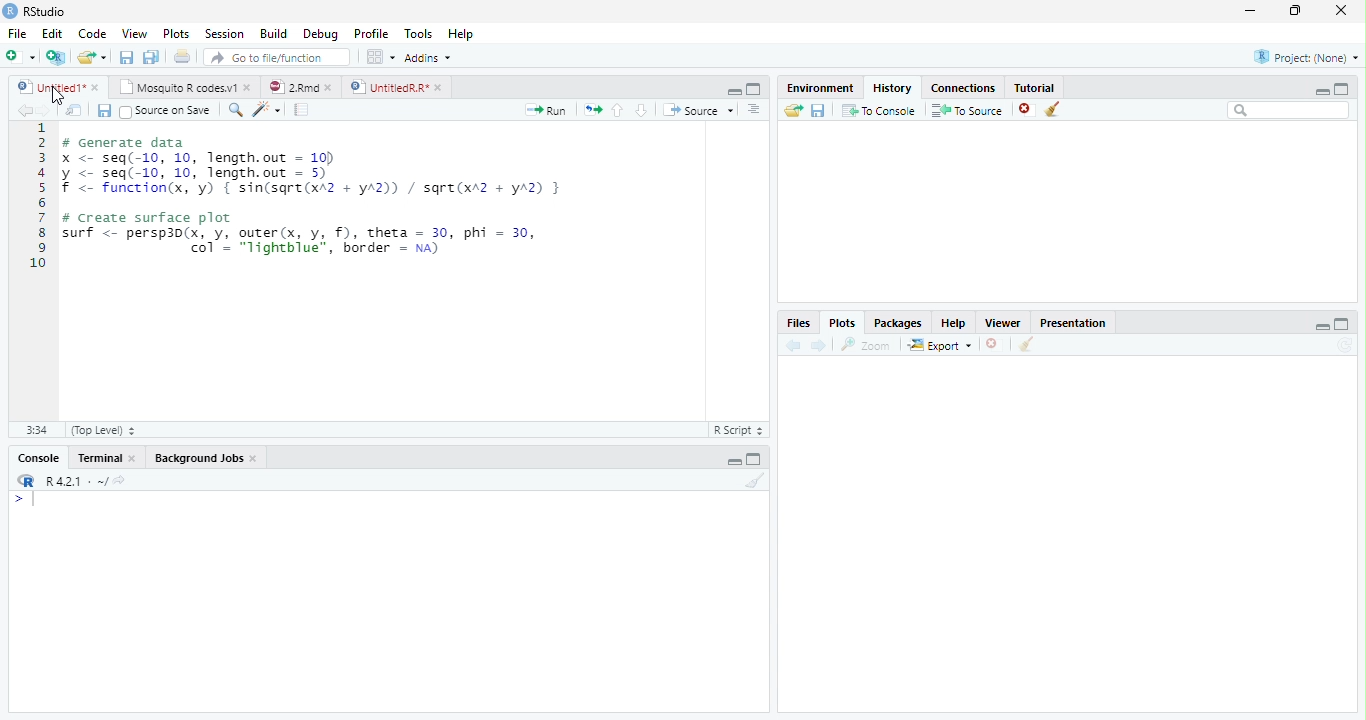  Describe the element at coordinates (800, 322) in the screenshot. I see `Files` at that location.